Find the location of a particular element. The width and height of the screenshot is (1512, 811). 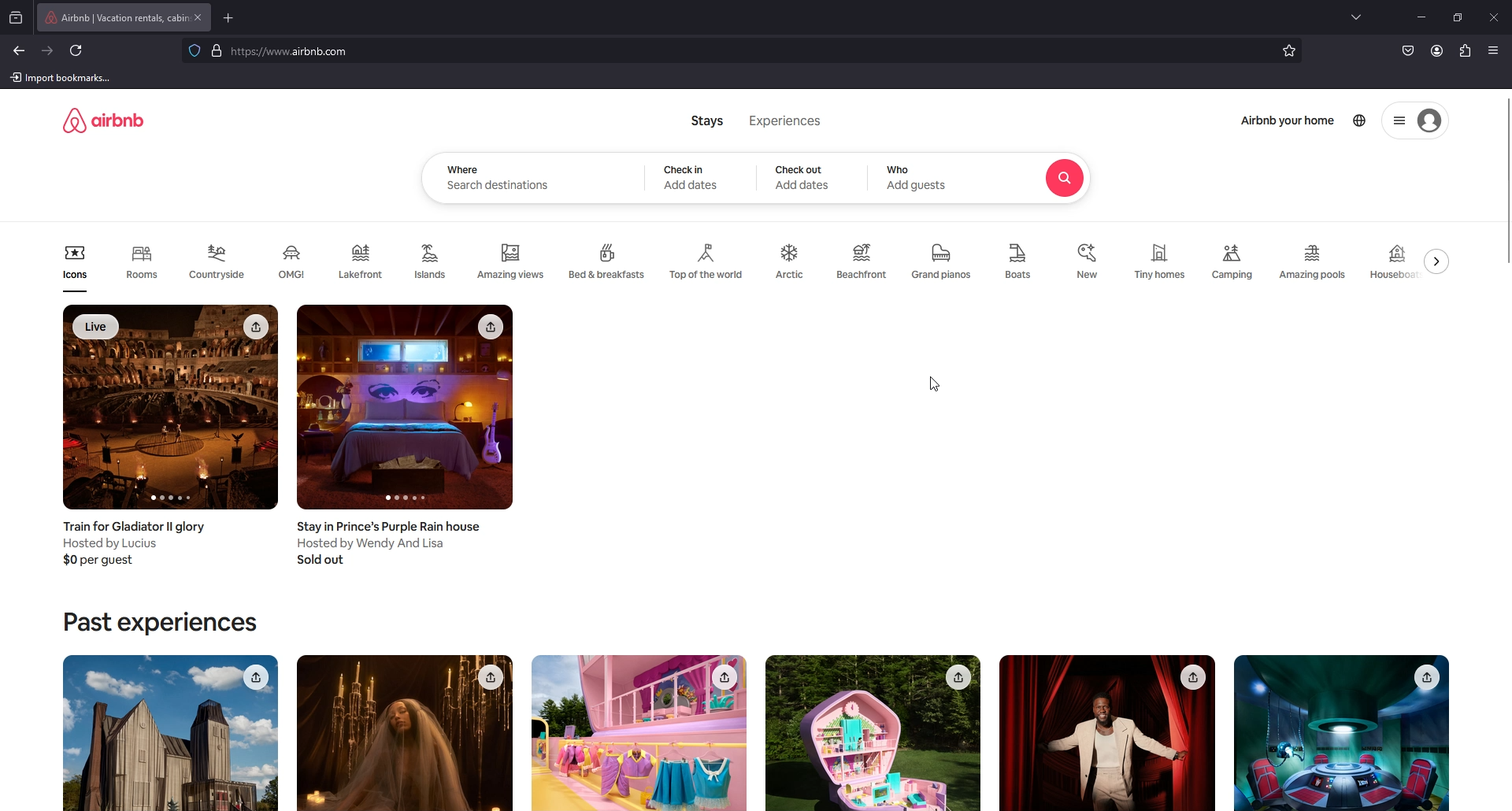

Icons is located at coordinates (75, 268).